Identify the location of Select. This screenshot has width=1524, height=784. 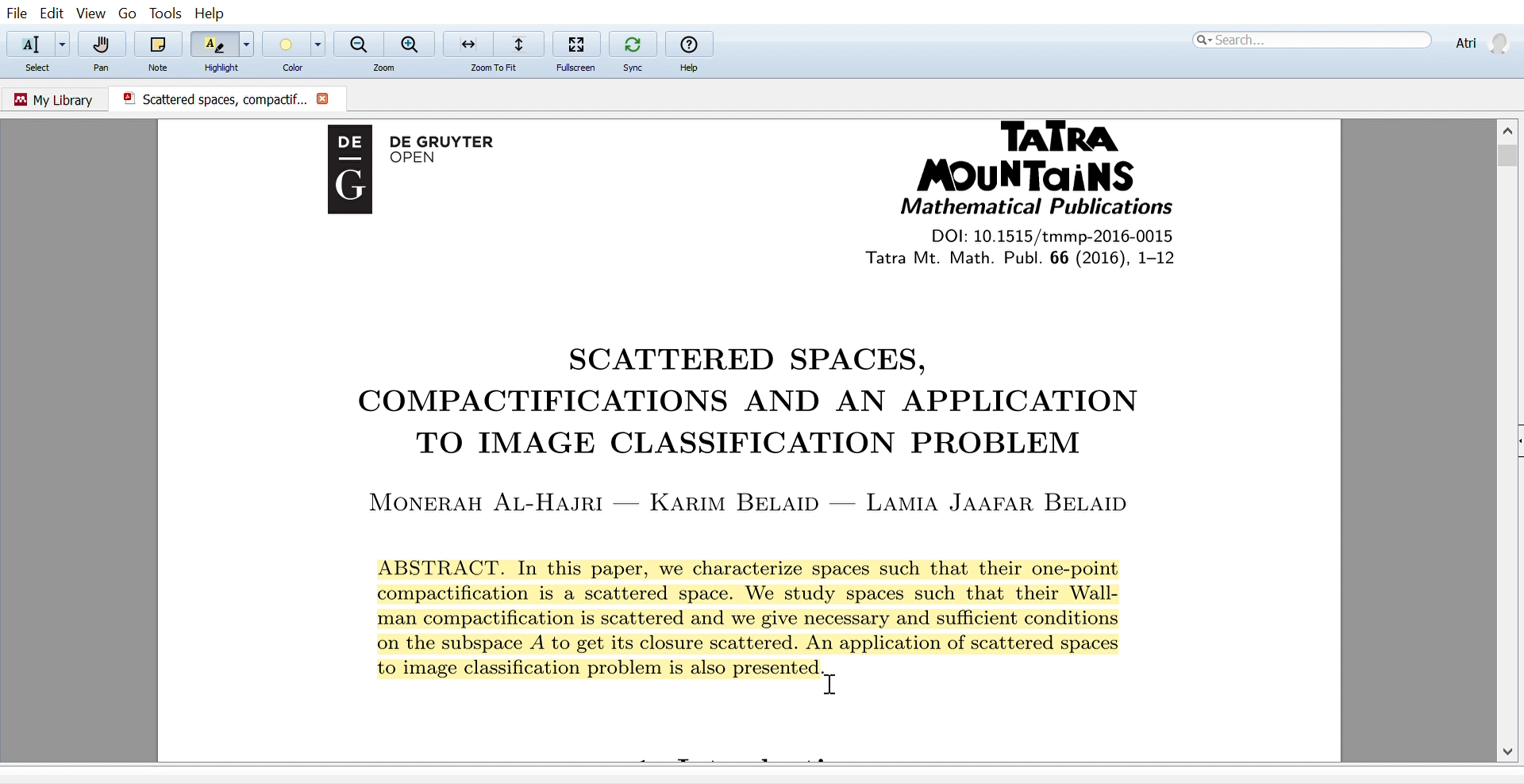
(44, 69).